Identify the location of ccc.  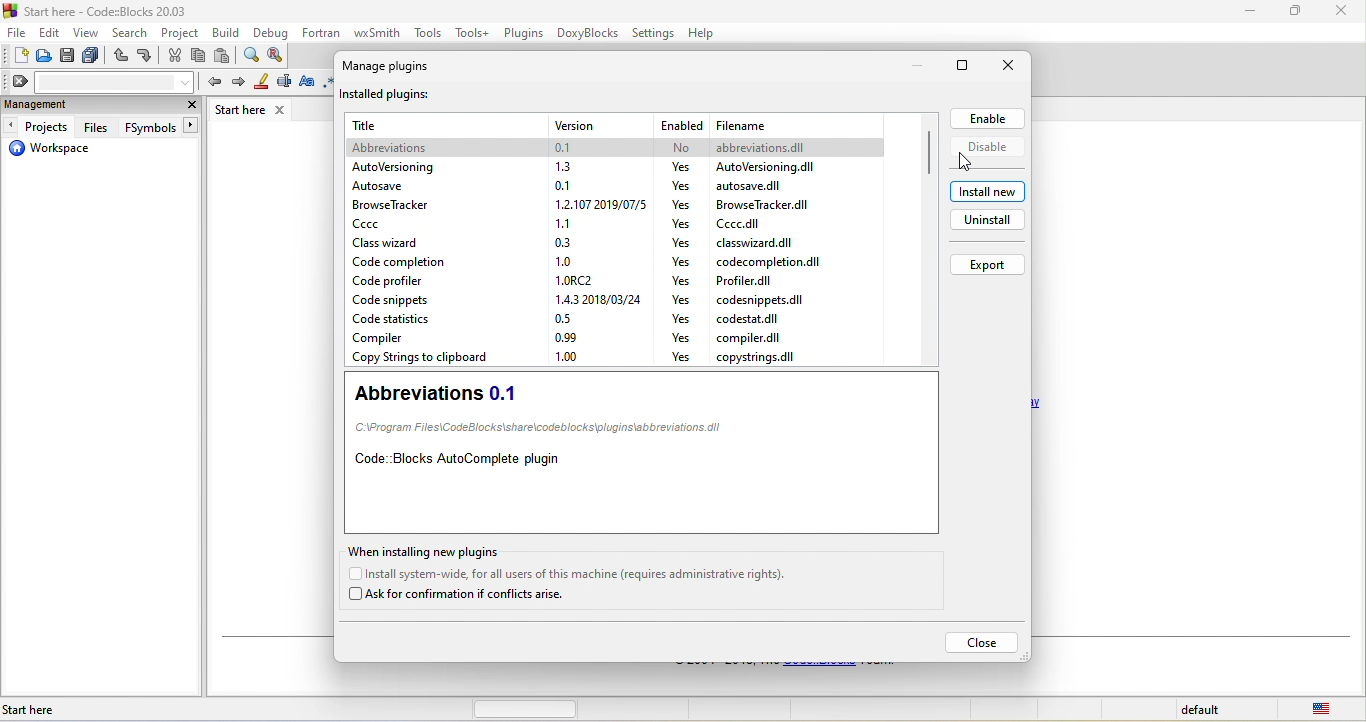
(419, 223).